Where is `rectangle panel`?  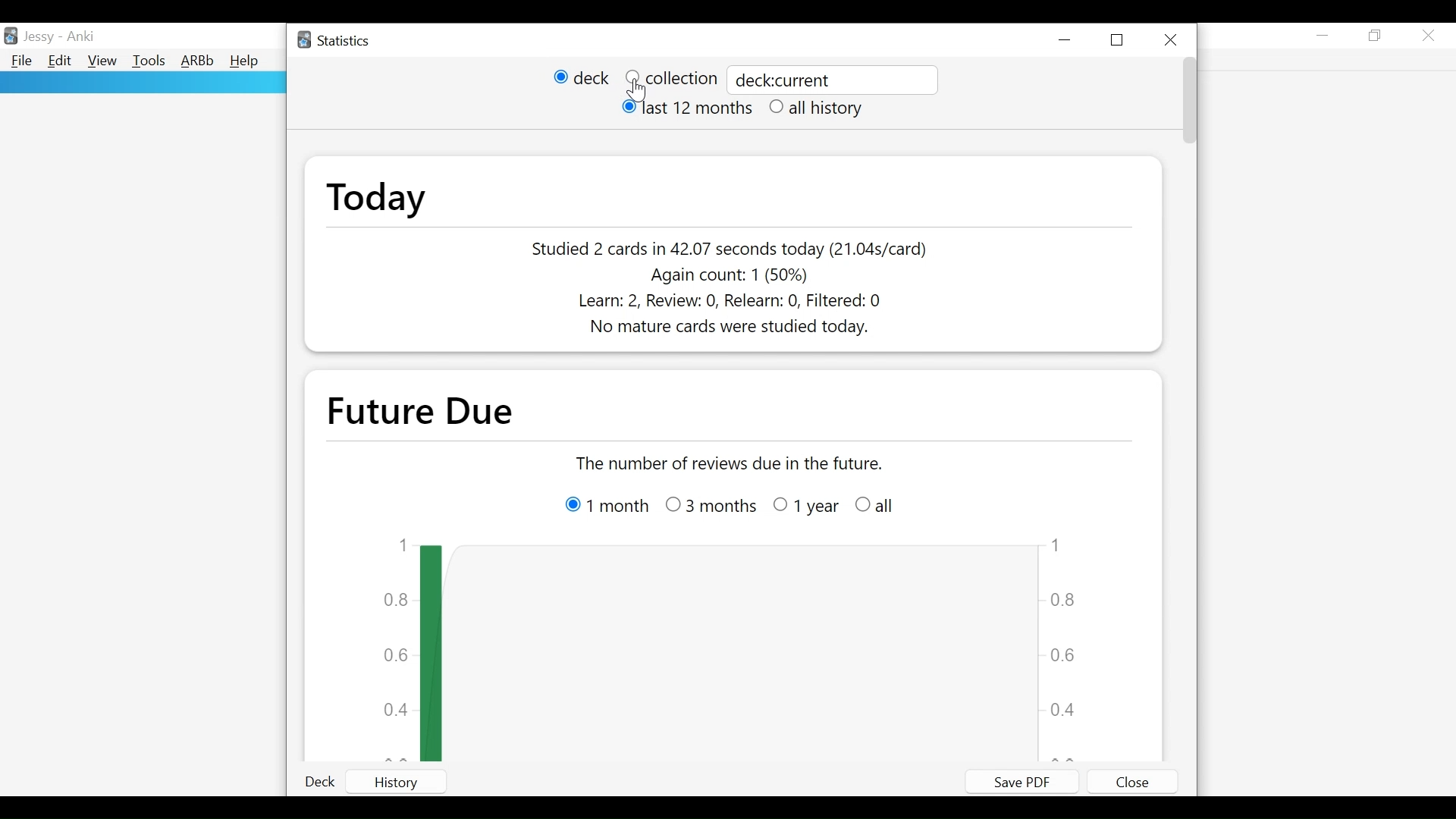
rectangle panel is located at coordinates (136, 83).